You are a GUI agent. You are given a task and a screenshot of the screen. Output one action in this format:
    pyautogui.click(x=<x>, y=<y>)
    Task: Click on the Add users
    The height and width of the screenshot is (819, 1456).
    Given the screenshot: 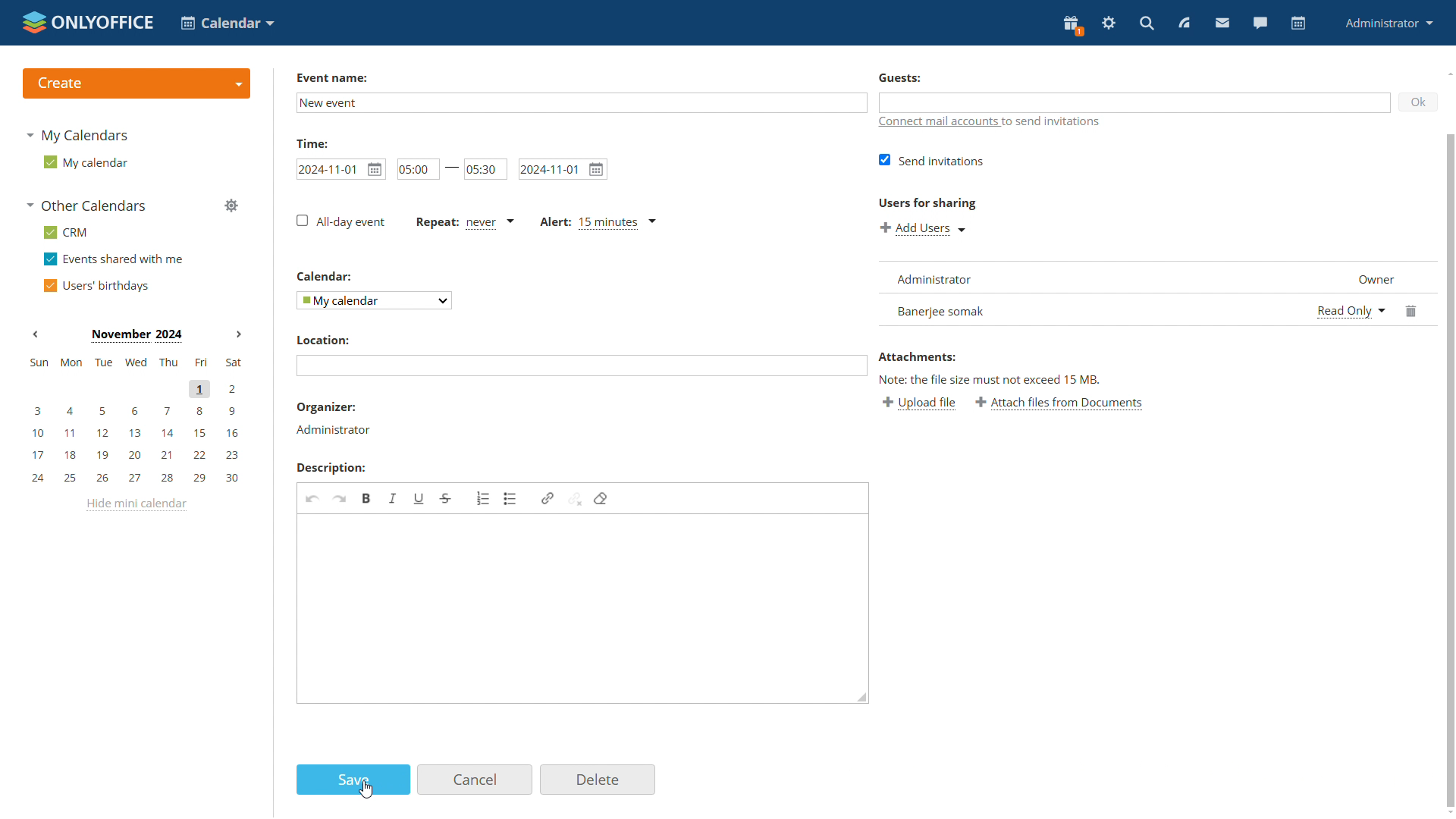 What is the action you would take?
    pyautogui.click(x=923, y=230)
    